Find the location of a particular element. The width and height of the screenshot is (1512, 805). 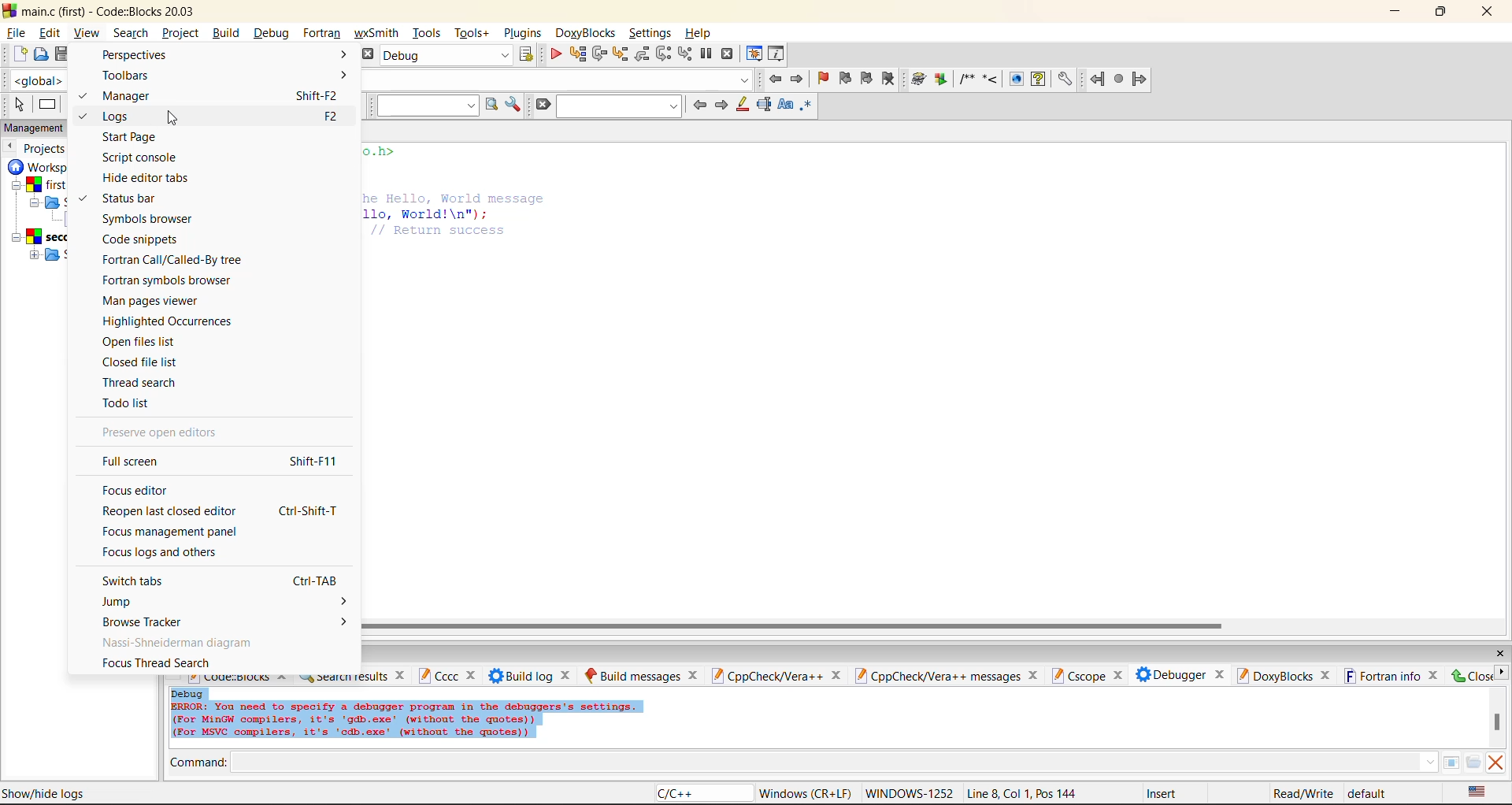

search results is located at coordinates (353, 680).